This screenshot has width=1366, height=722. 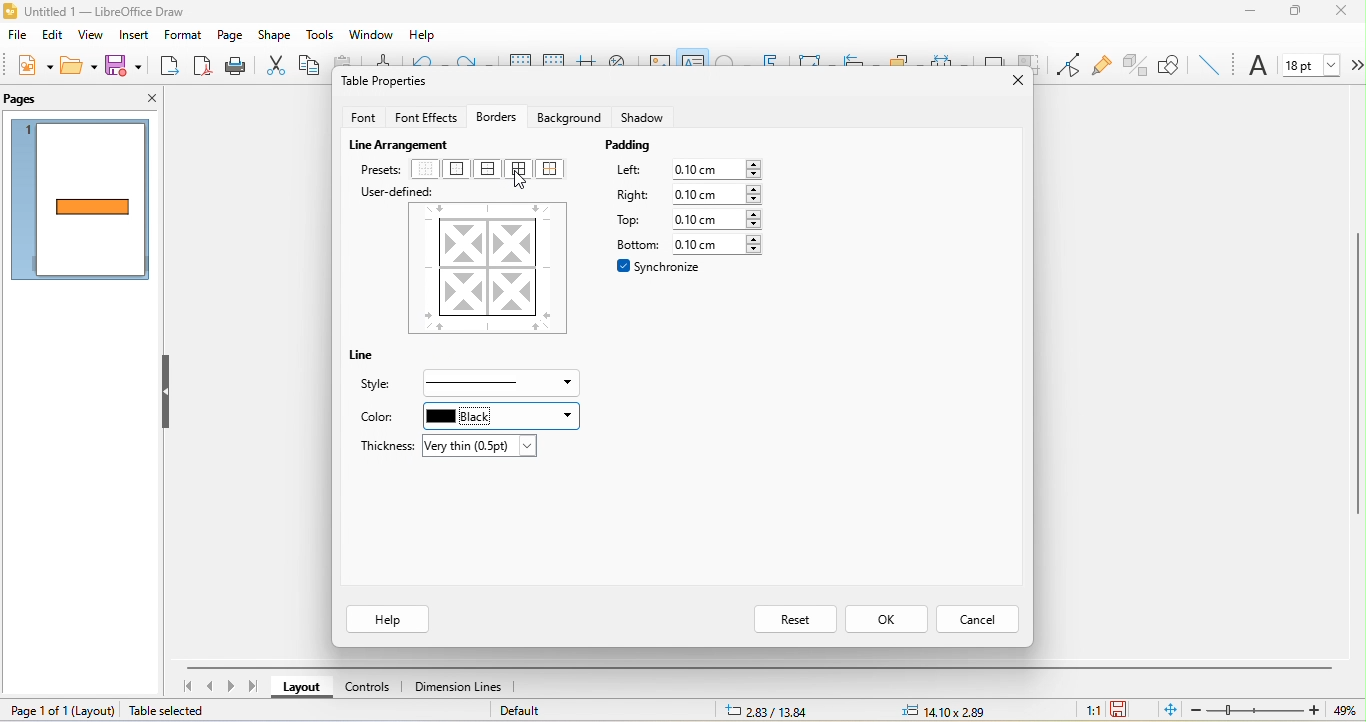 I want to click on 0.10 cm, so click(x=718, y=170).